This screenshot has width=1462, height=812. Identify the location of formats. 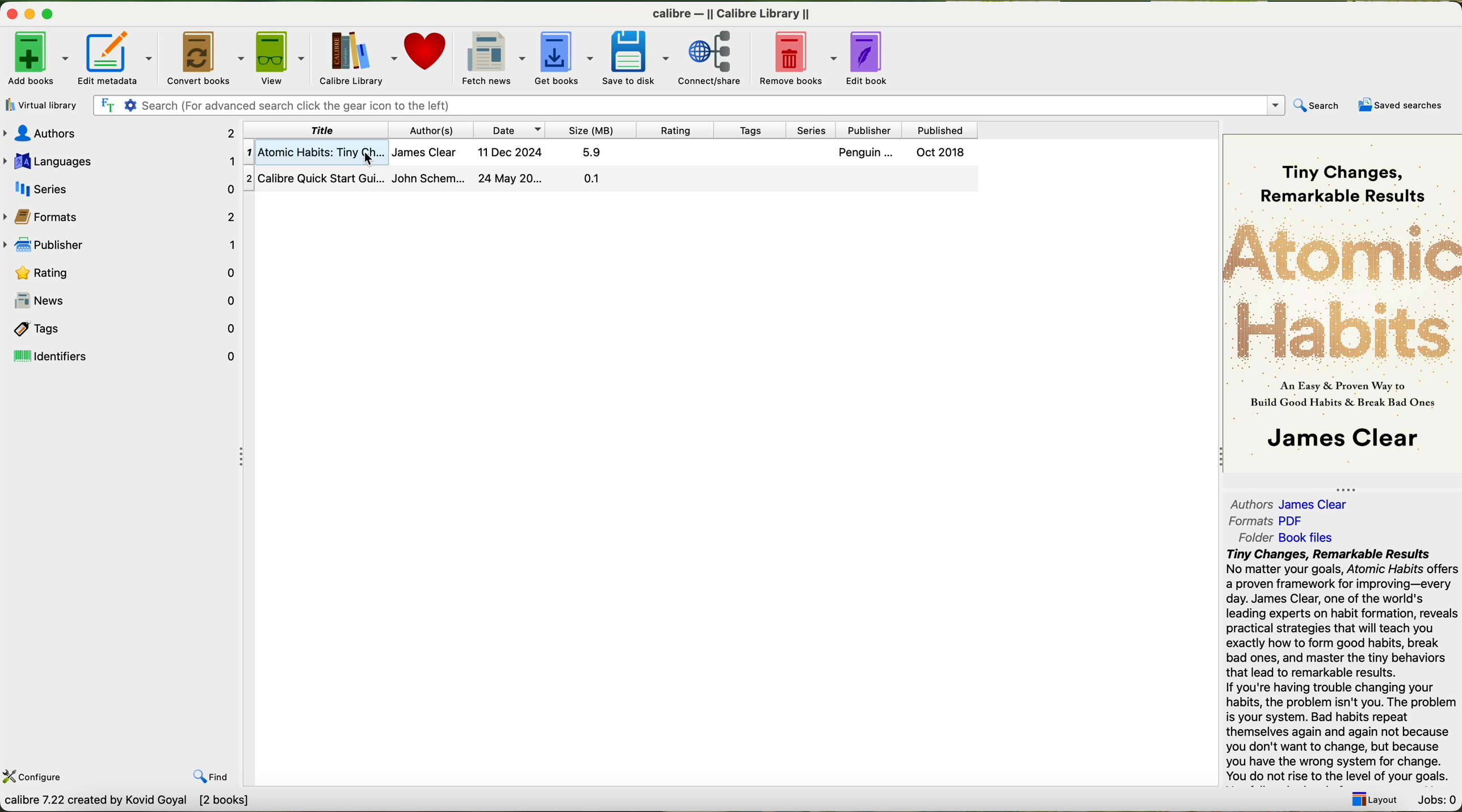
(1267, 520).